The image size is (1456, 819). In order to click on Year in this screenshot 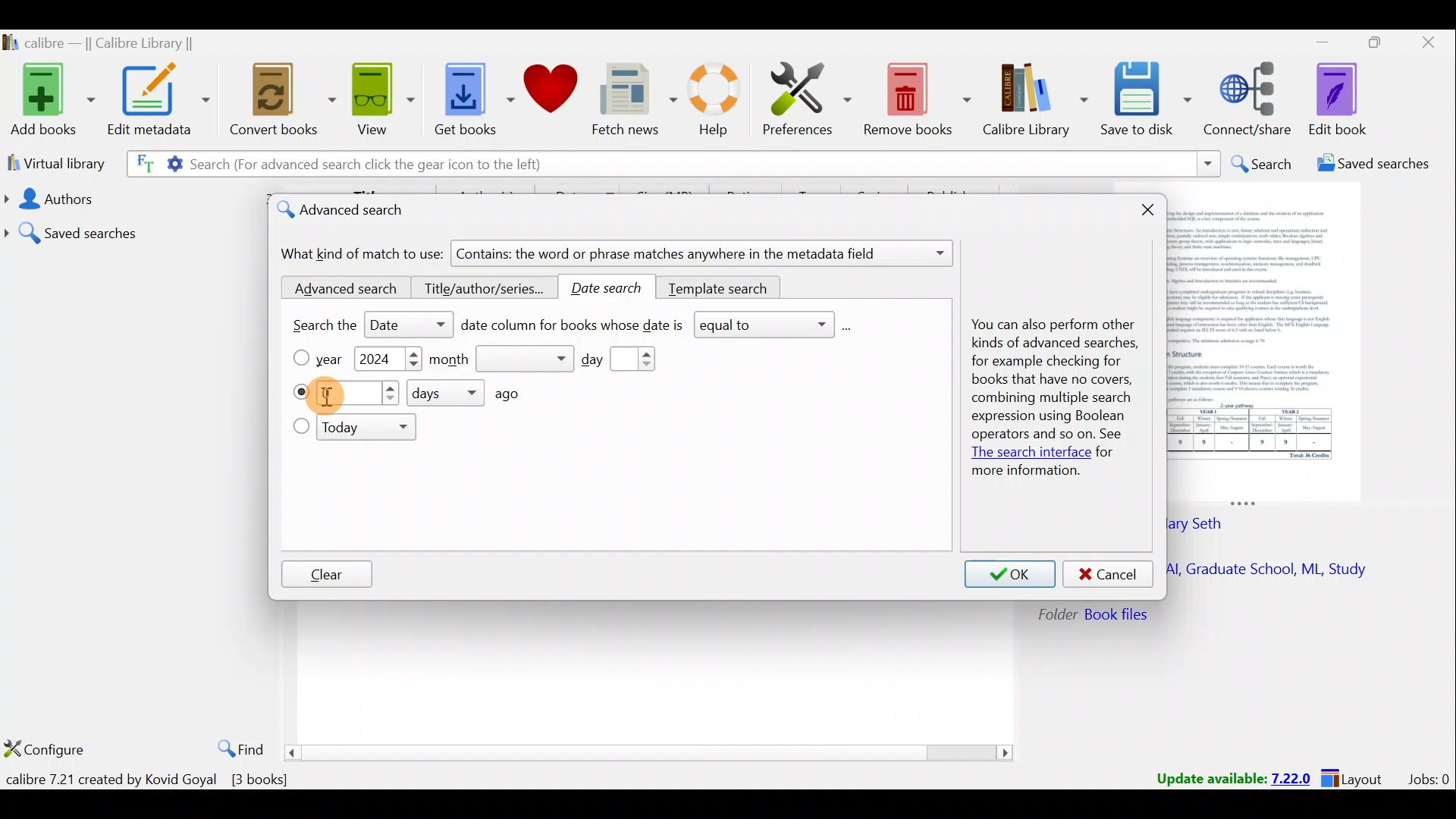, I will do `click(335, 359)`.